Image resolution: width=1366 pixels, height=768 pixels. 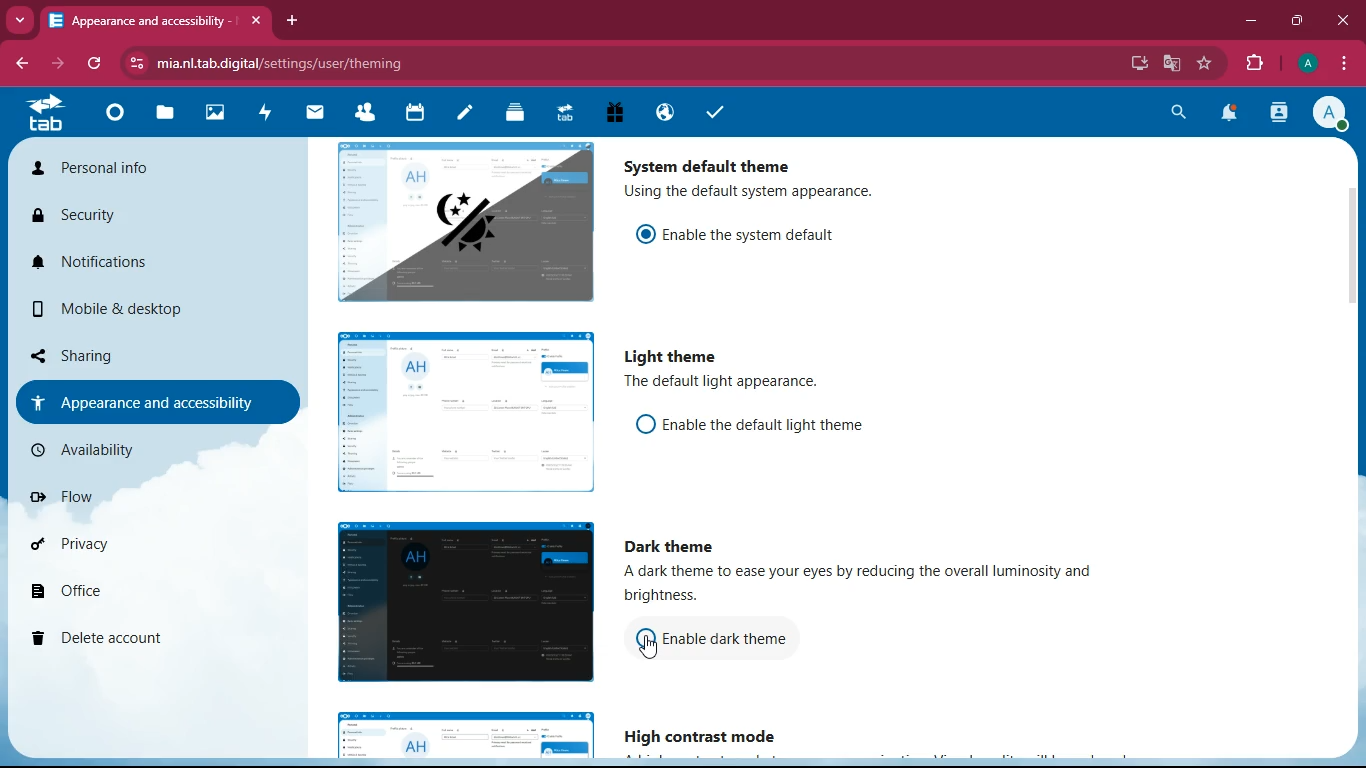 I want to click on appearance, so click(x=148, y=402).